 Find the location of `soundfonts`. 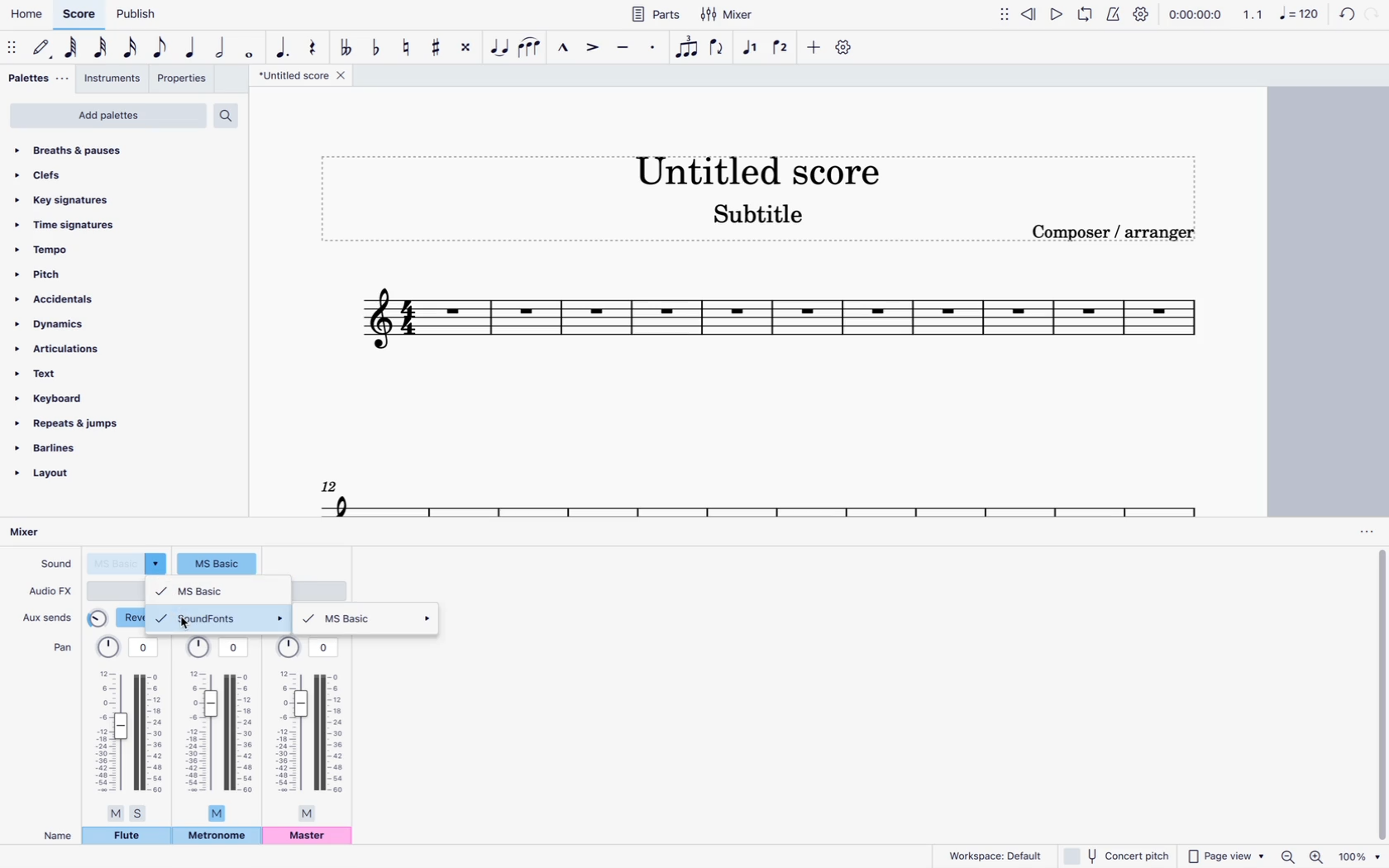

soundfonts is located at coordinates (219, 618).